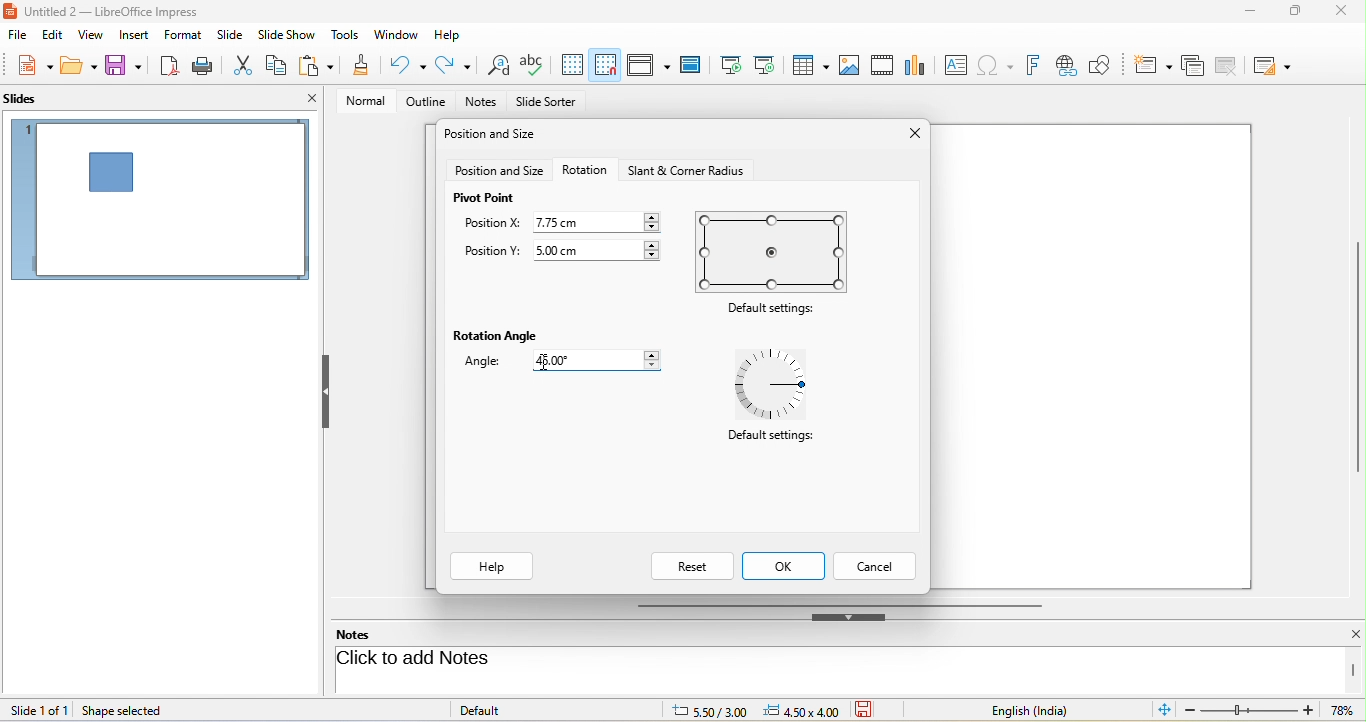 The height and width of the screenshot is (722, 1366). Describe the element at coordinates (319, 67) in the screenshot. I see `paste` at that location.